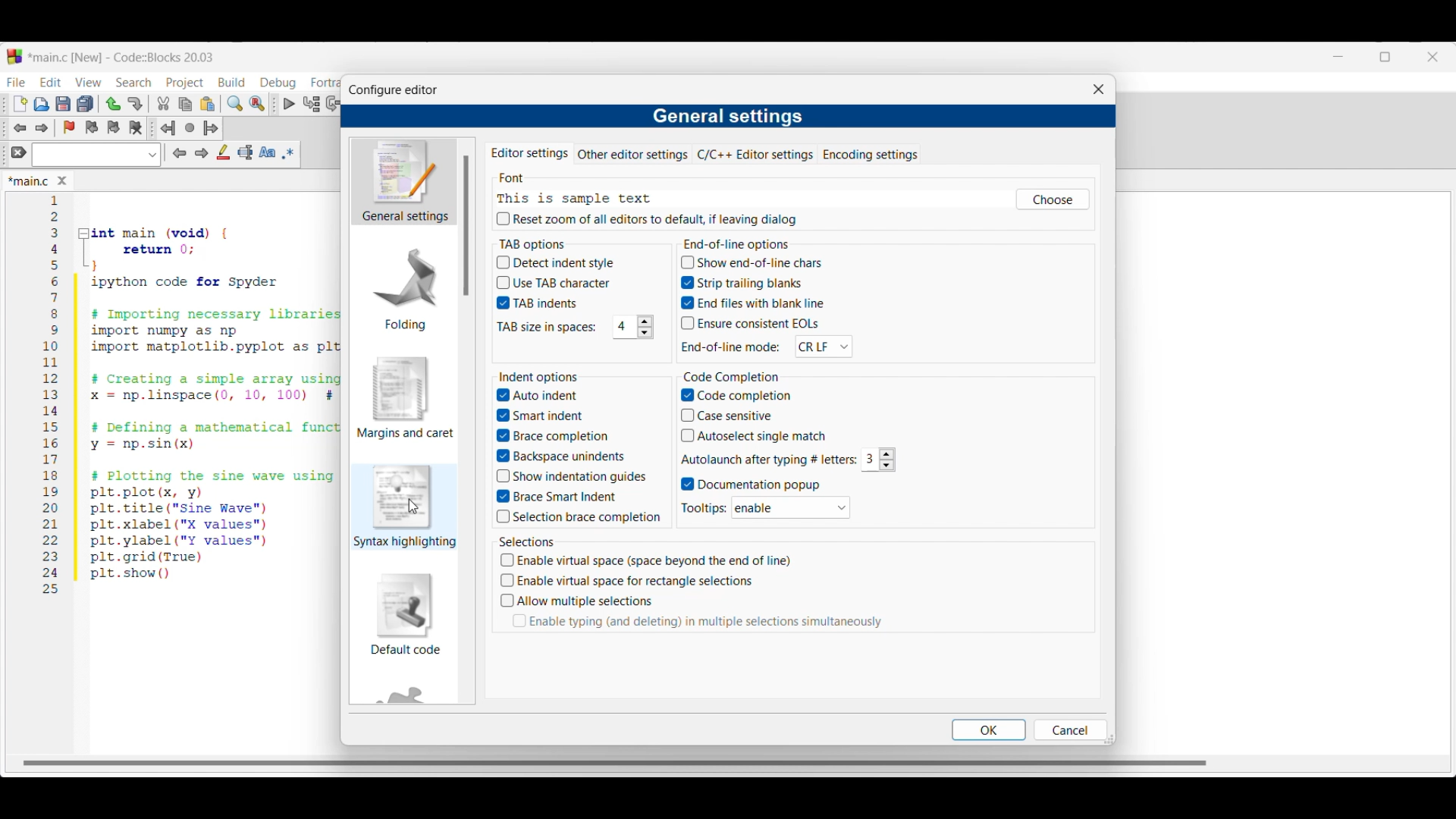 The width and height of the screenshot is (1456, 819). What do you see at coordinates (278, 83) in the screenshot?
I see `Debug menu` at bounding box center [278, 83].